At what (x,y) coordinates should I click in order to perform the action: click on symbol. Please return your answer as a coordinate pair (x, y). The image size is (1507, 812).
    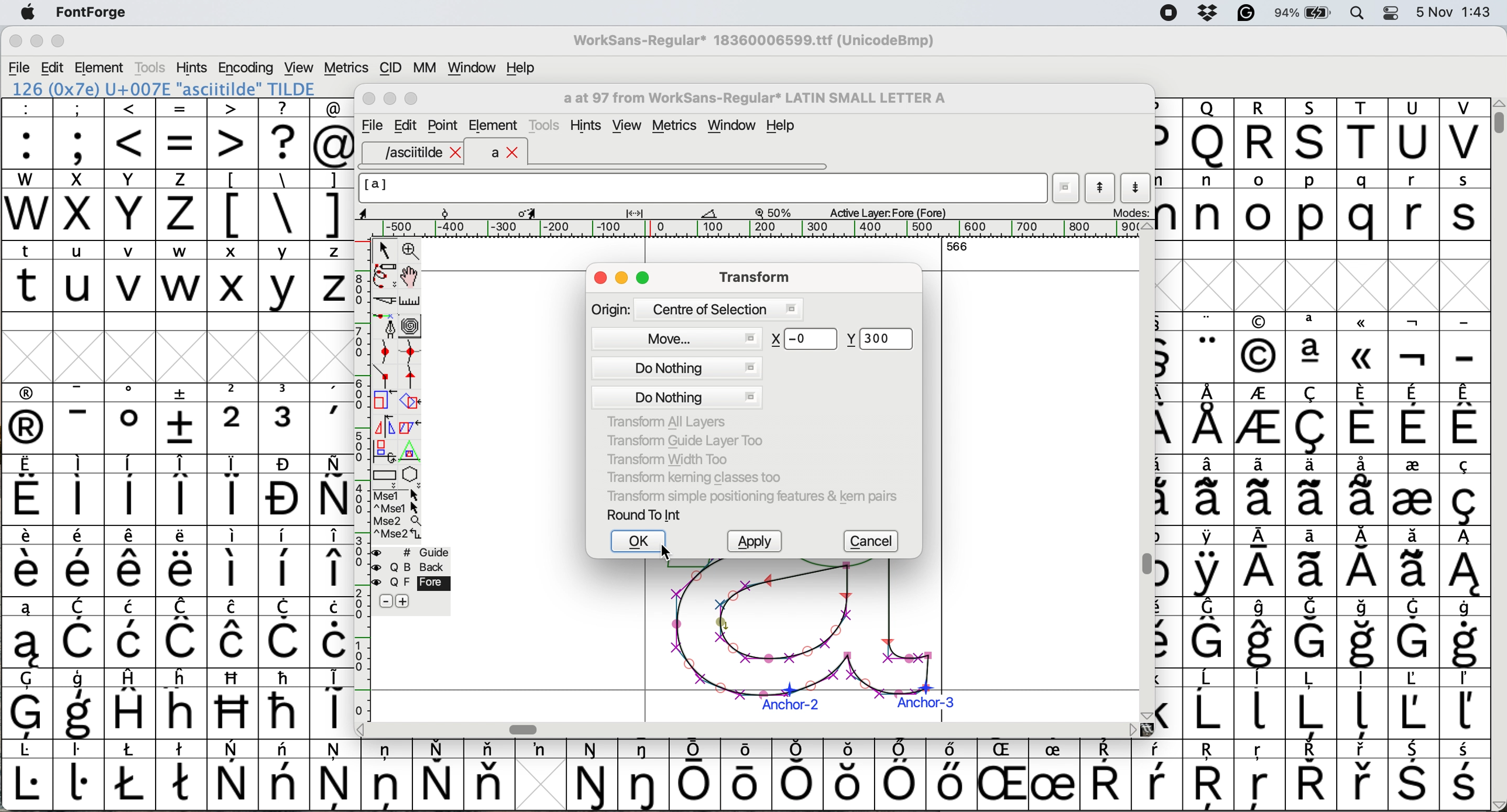
    Looking at the image, I should click on (1415, 349).